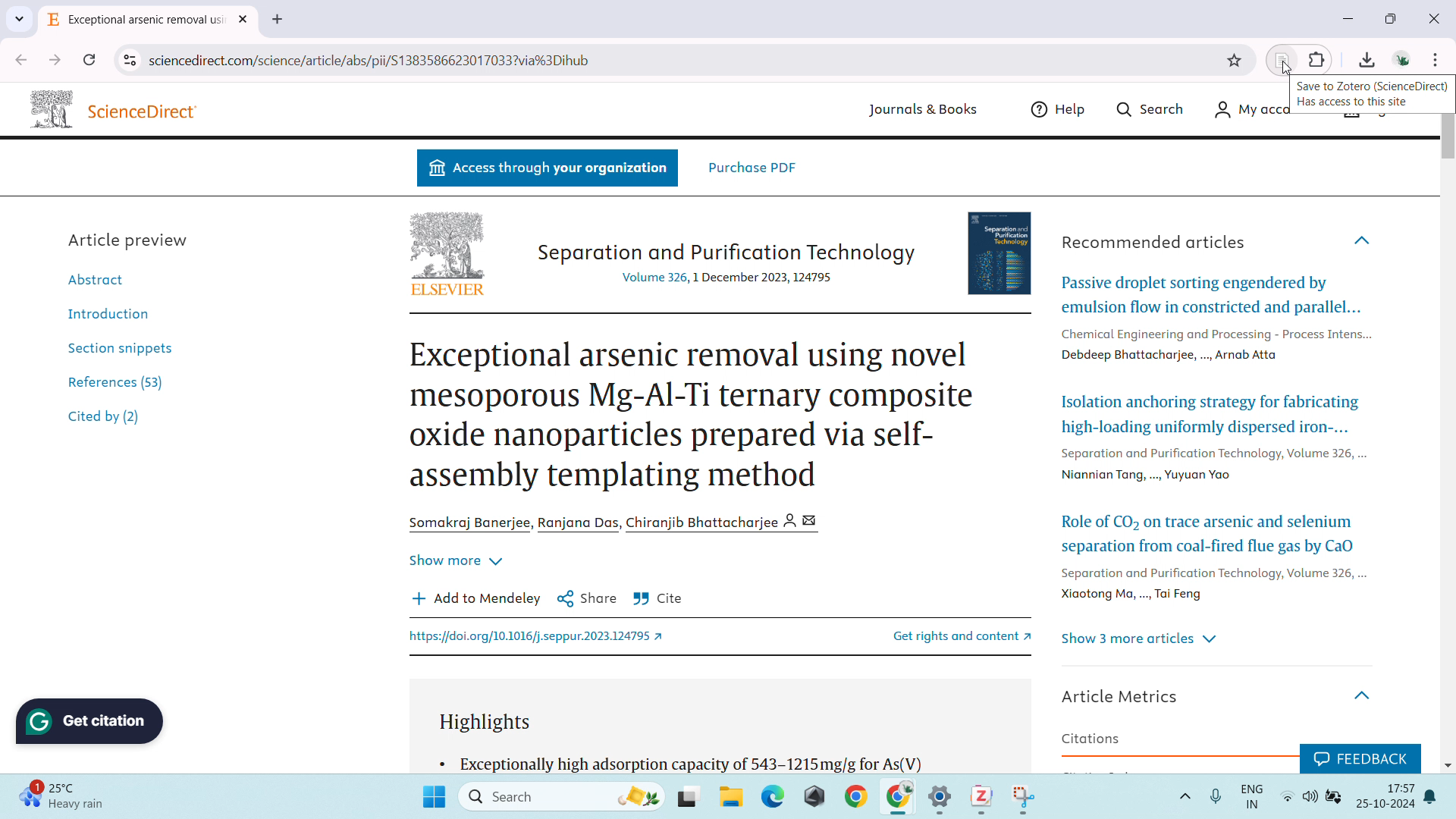 This screenshot has width=1456, height=819. What do you see at coordinates (1367, 690) in the screenshot?
I see `Hide` at bounding box center [1367, 690].